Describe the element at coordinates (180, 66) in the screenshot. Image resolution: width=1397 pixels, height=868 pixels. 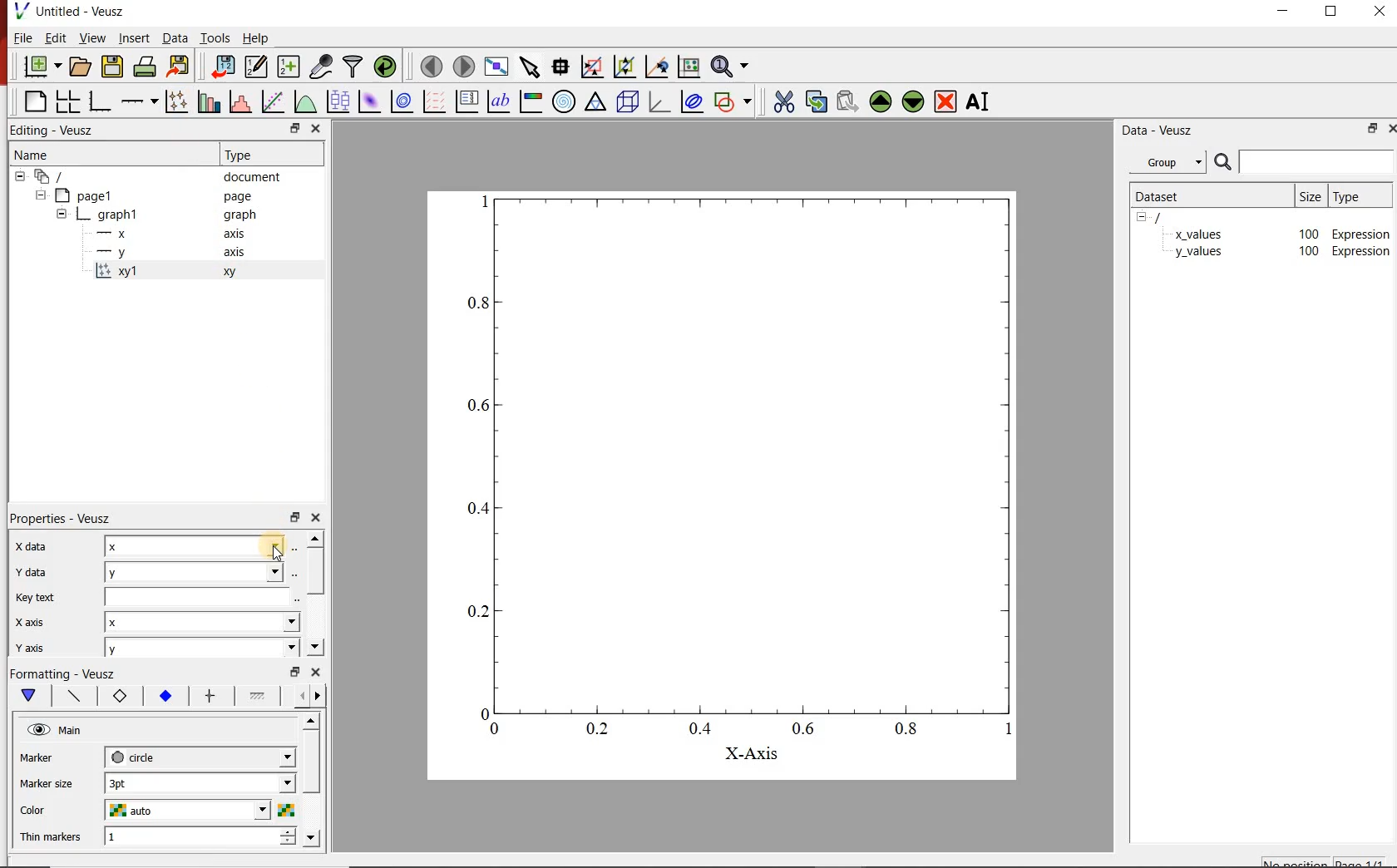
I see `export to graphics format` at that location.